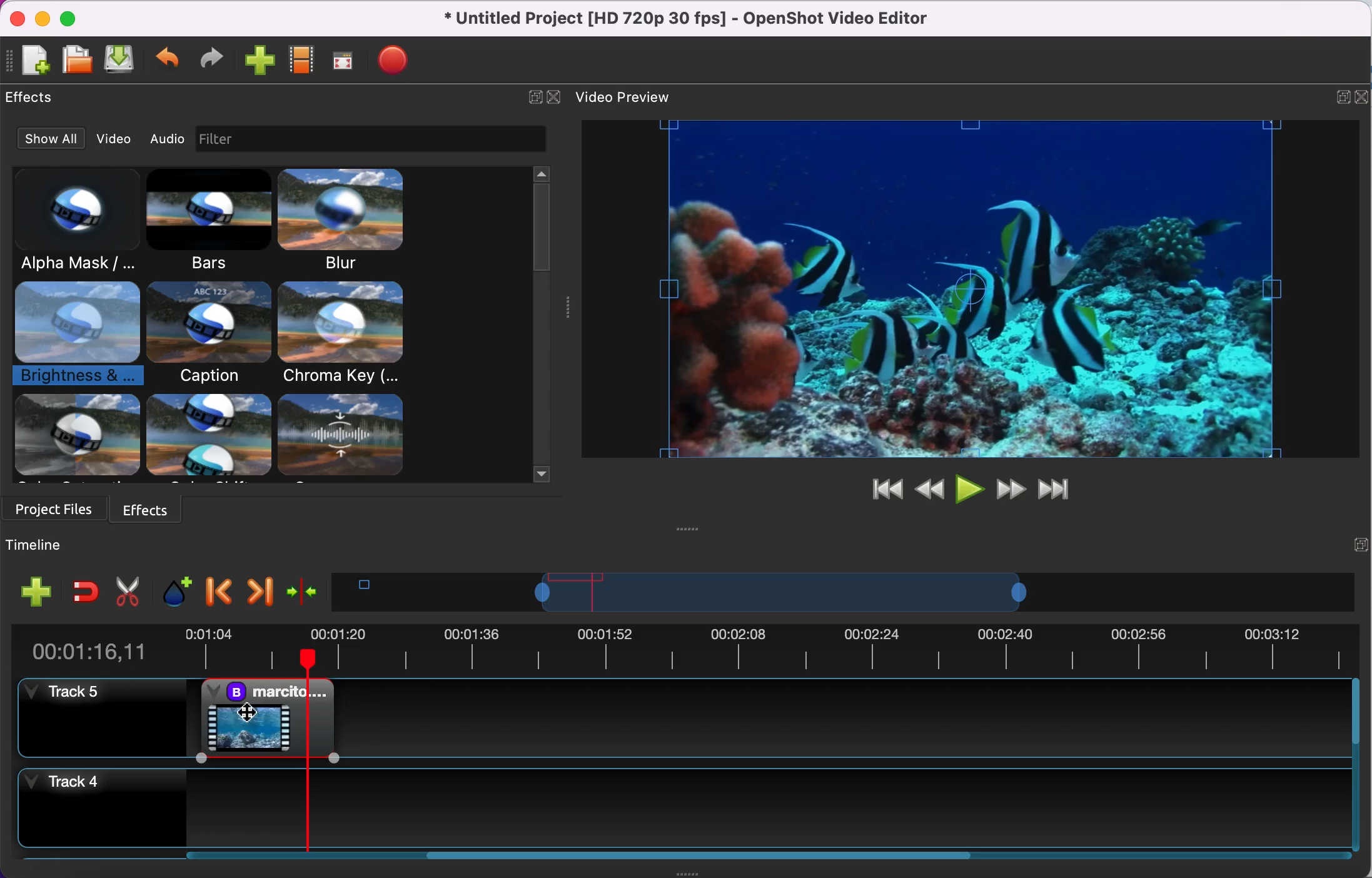 Image resolution: width=1372 pixels, height=878 pixels. What do you see at coordinates (166, 141) in the screenshot?
I see `audio` at bounding box center [166, 141].